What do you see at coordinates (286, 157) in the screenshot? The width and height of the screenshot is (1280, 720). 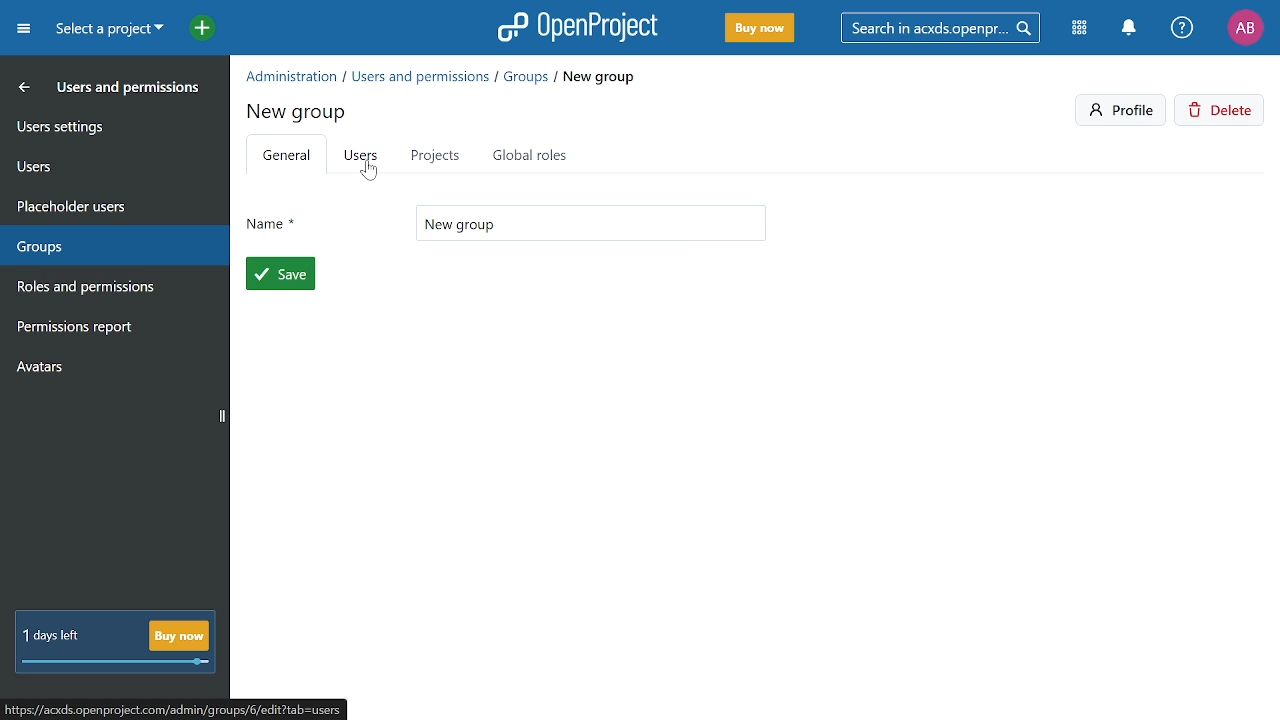 I see `General` at bounding box center [286, 157].